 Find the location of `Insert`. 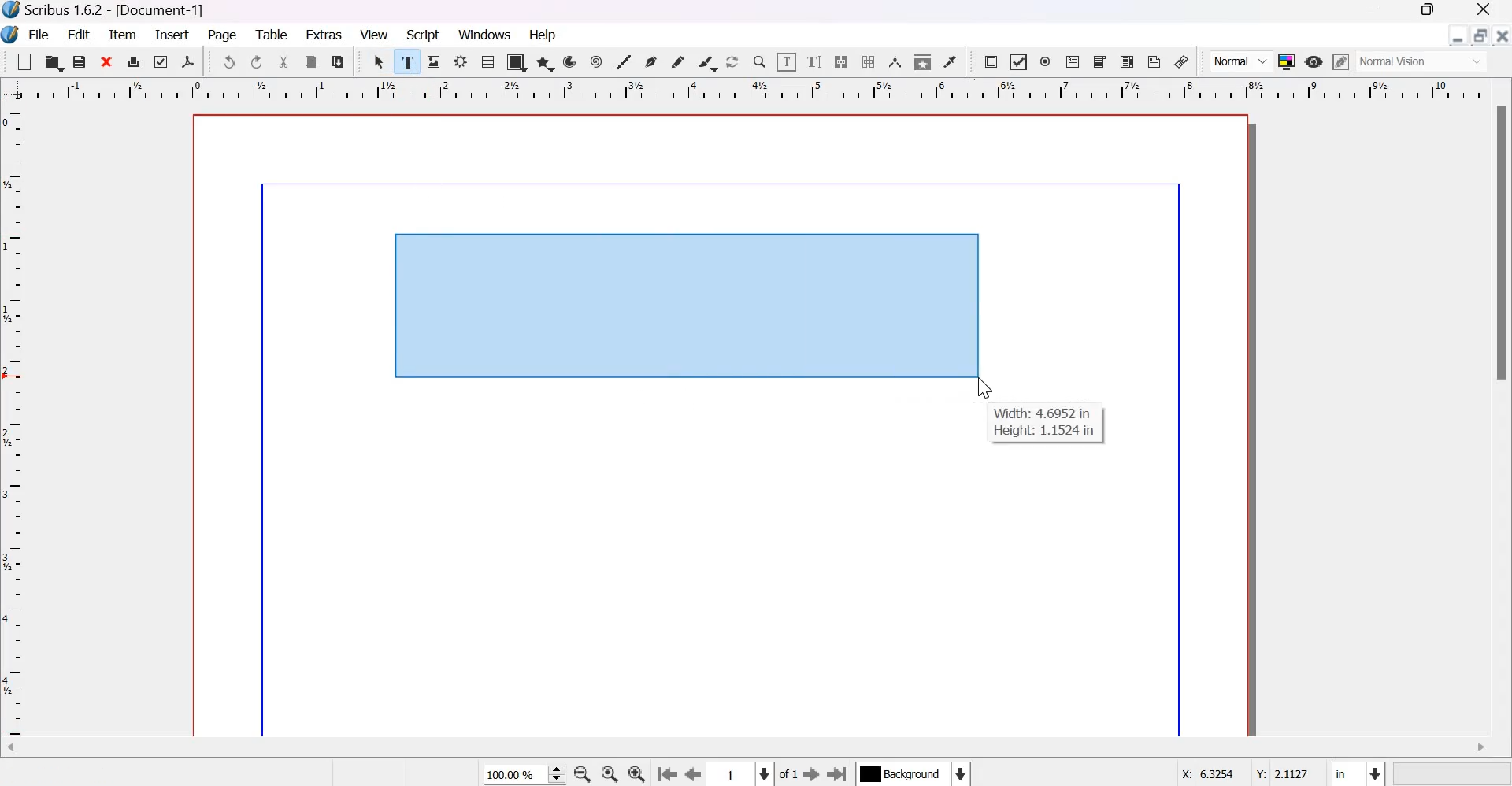

Insert is located at coordinates (172, 35).